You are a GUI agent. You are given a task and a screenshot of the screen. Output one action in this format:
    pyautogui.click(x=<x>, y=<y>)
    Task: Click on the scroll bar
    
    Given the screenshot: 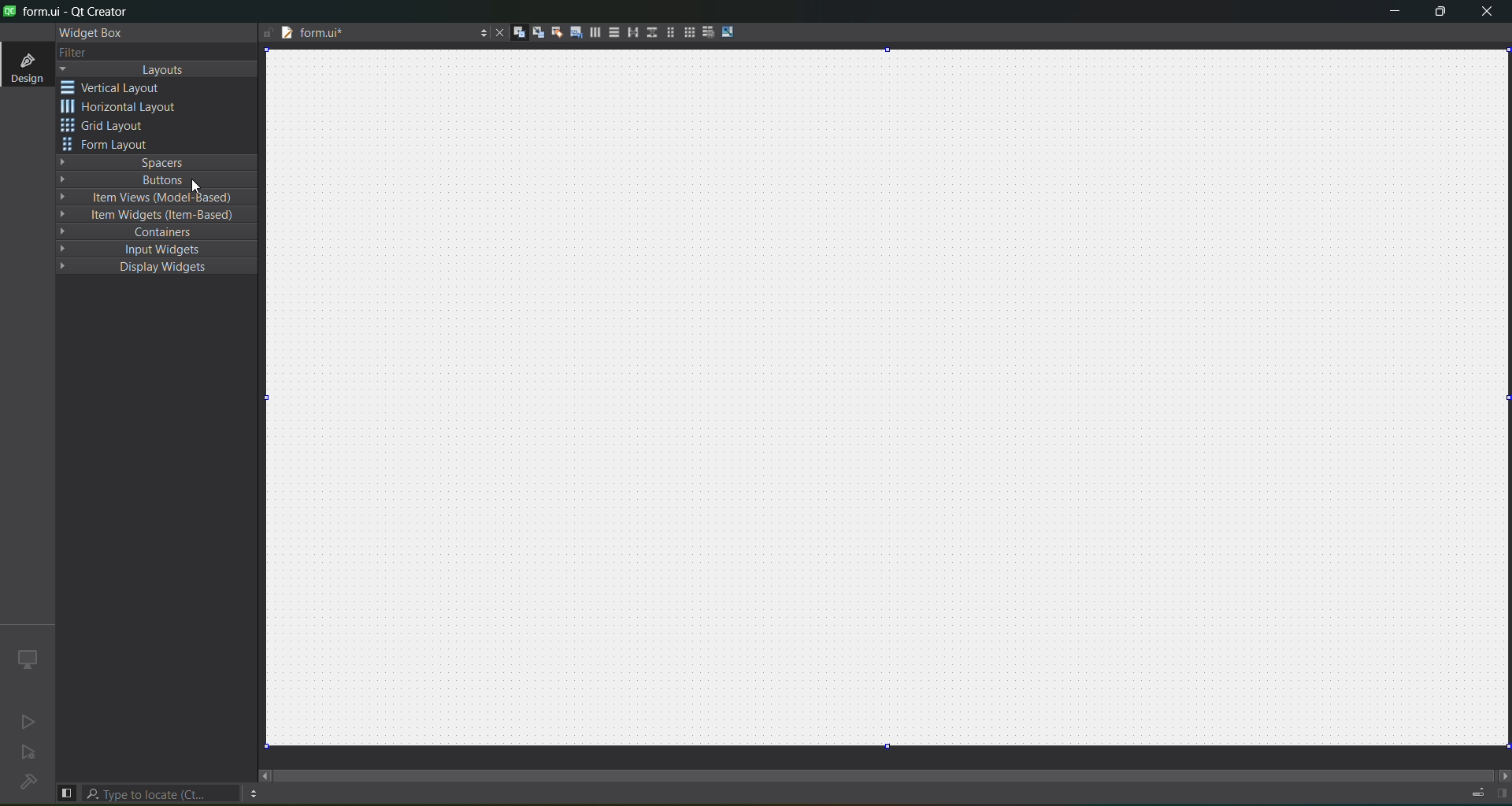 What is the action you would take?
    pyautogui.click(x=885, y=768)
    